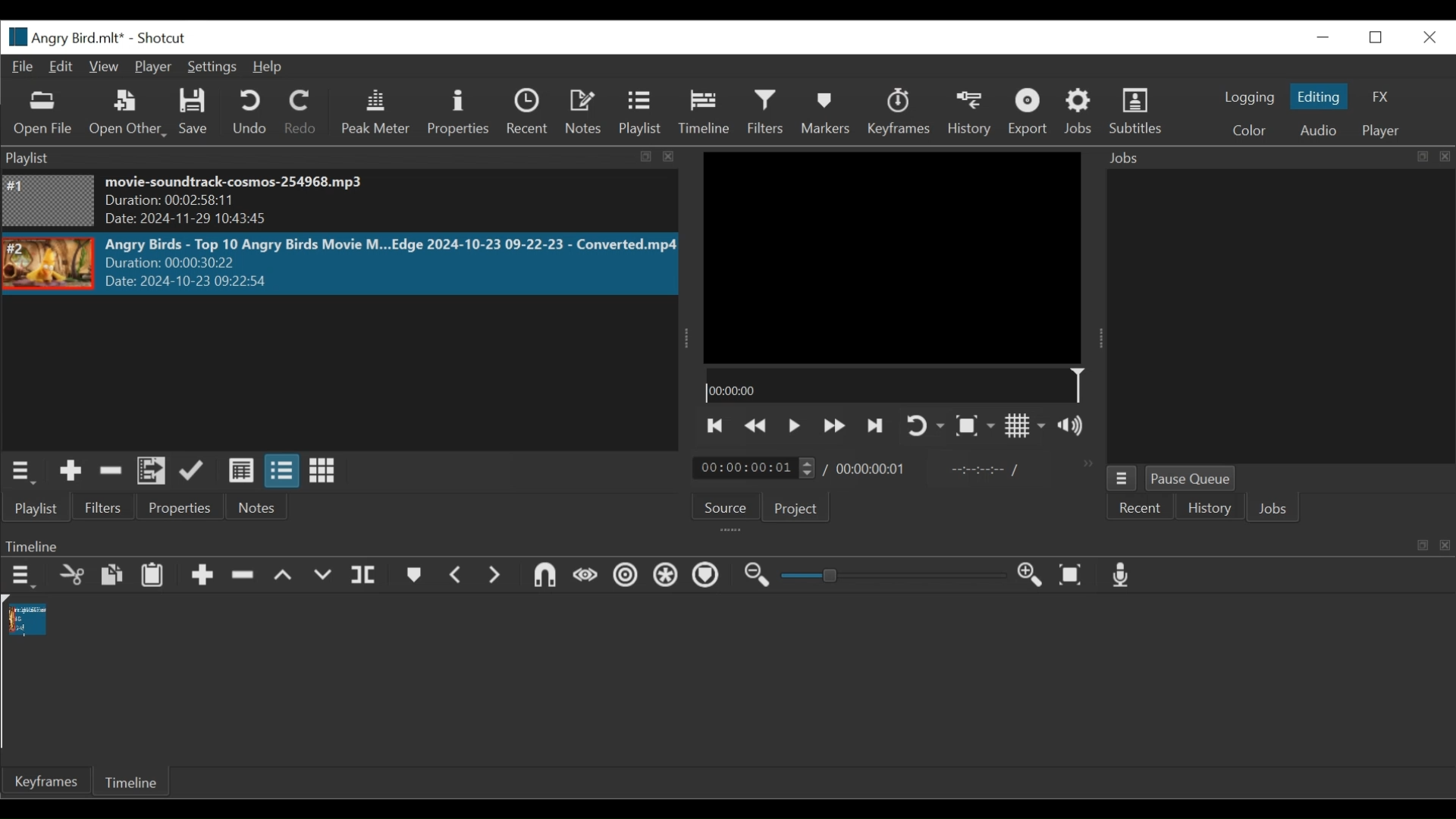 This screenshot has height=819, width=1456. What do you see at coordinates (151, 67) in the screenshot?
I see `Player` at bounding box center [151, 67].